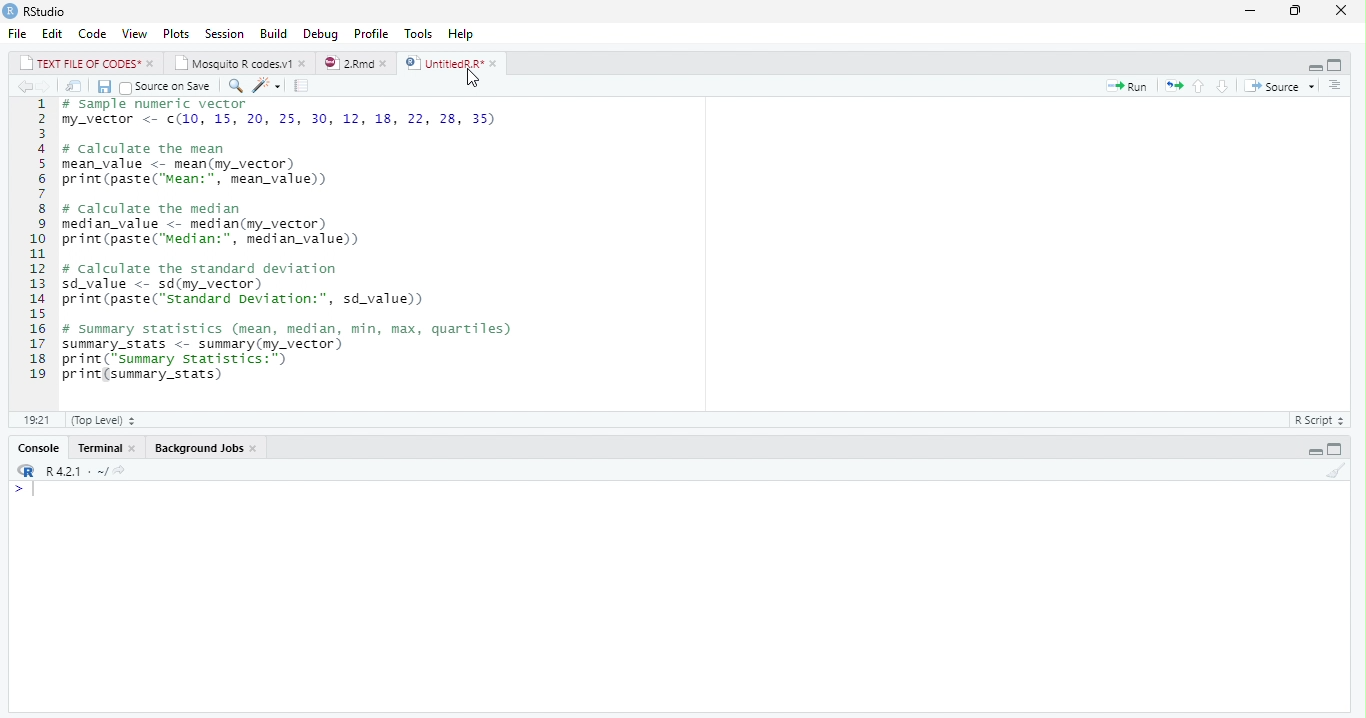  Describe the element at coordinates (371, 34) in the screenshot. I see `profile` at that location.